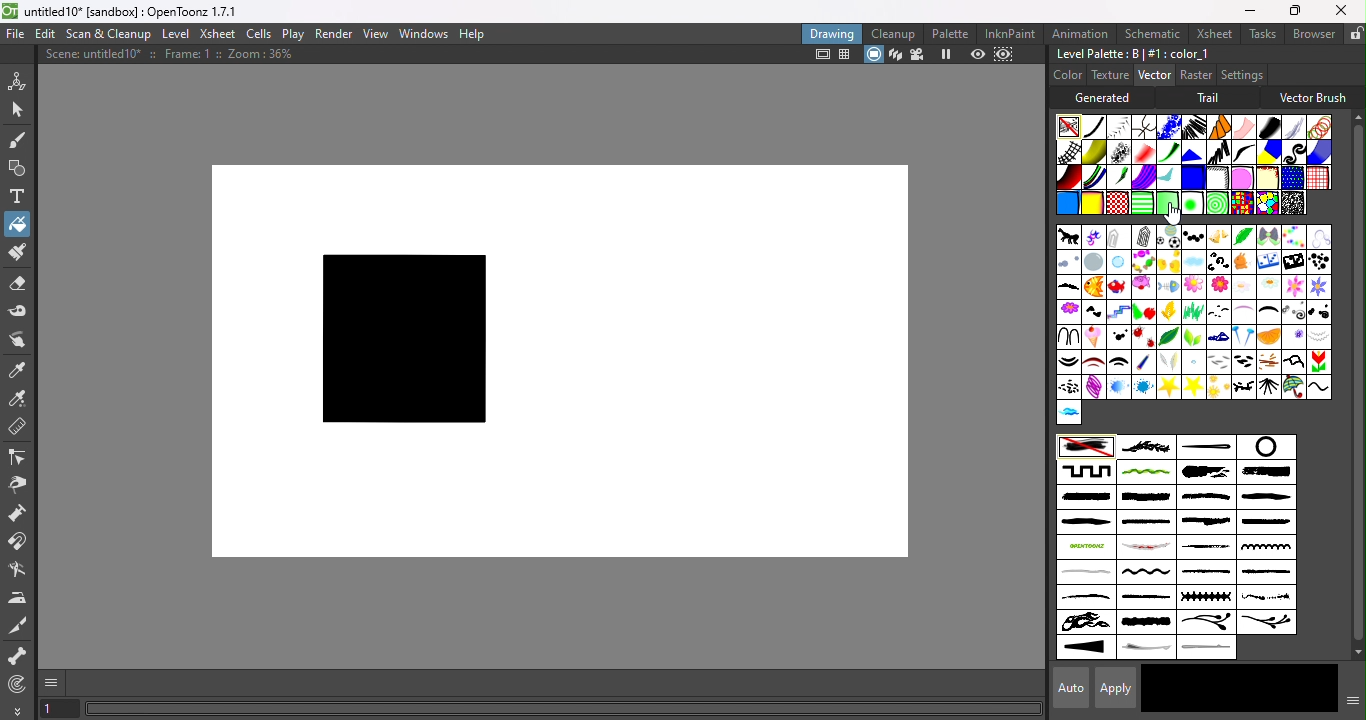 The image size is (1366, 720). I want to click on sunflower, so click(1219, 387).